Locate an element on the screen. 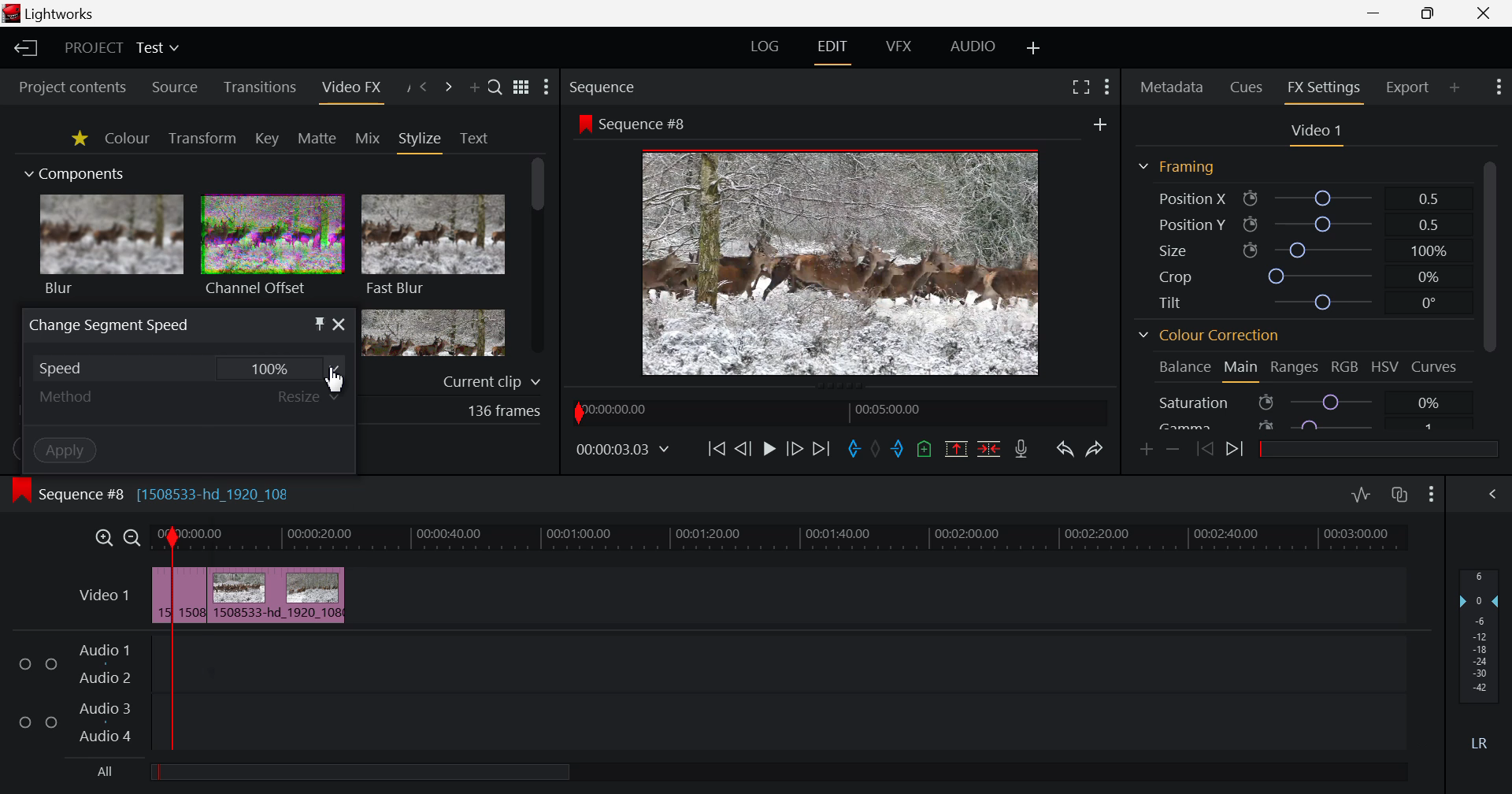 This screenshot has height=794, width=1512. Add Panel is located at coordinates (1455, 86).